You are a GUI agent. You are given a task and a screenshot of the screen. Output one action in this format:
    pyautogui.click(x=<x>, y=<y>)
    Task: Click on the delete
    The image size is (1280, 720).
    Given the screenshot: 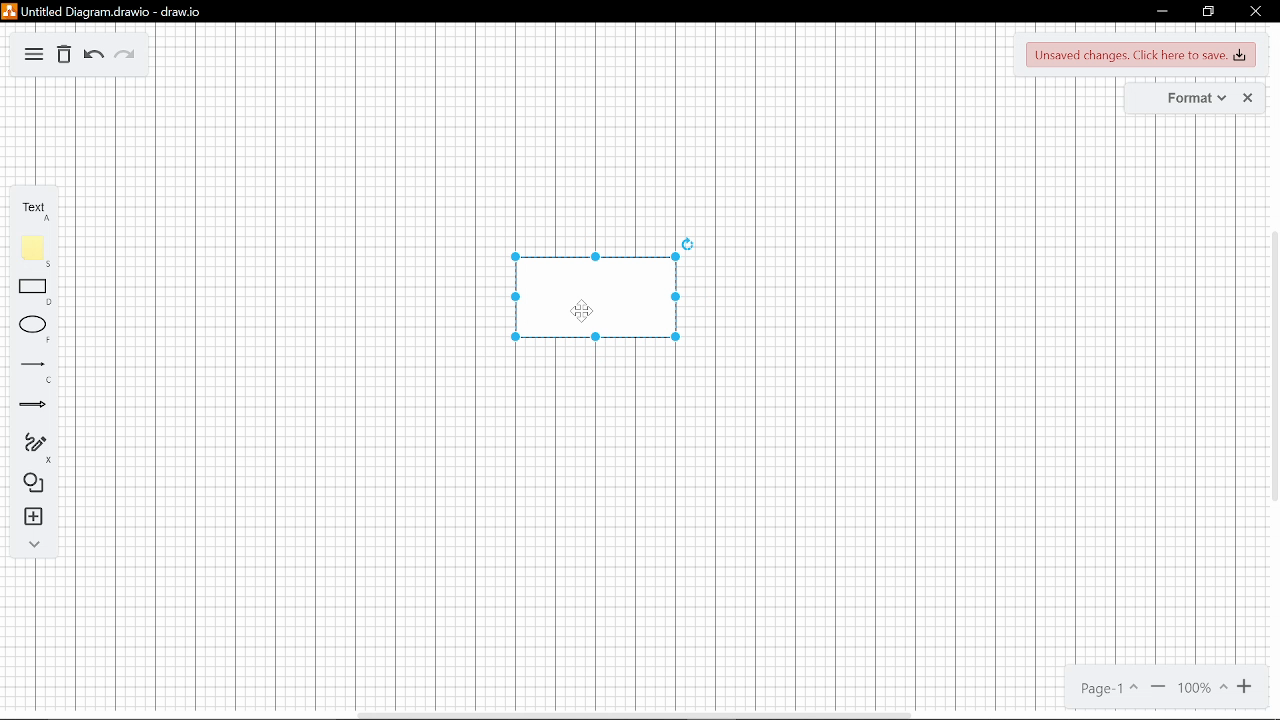 What is the action you would take?
    pyautogui.click(x=62, y=55)
    